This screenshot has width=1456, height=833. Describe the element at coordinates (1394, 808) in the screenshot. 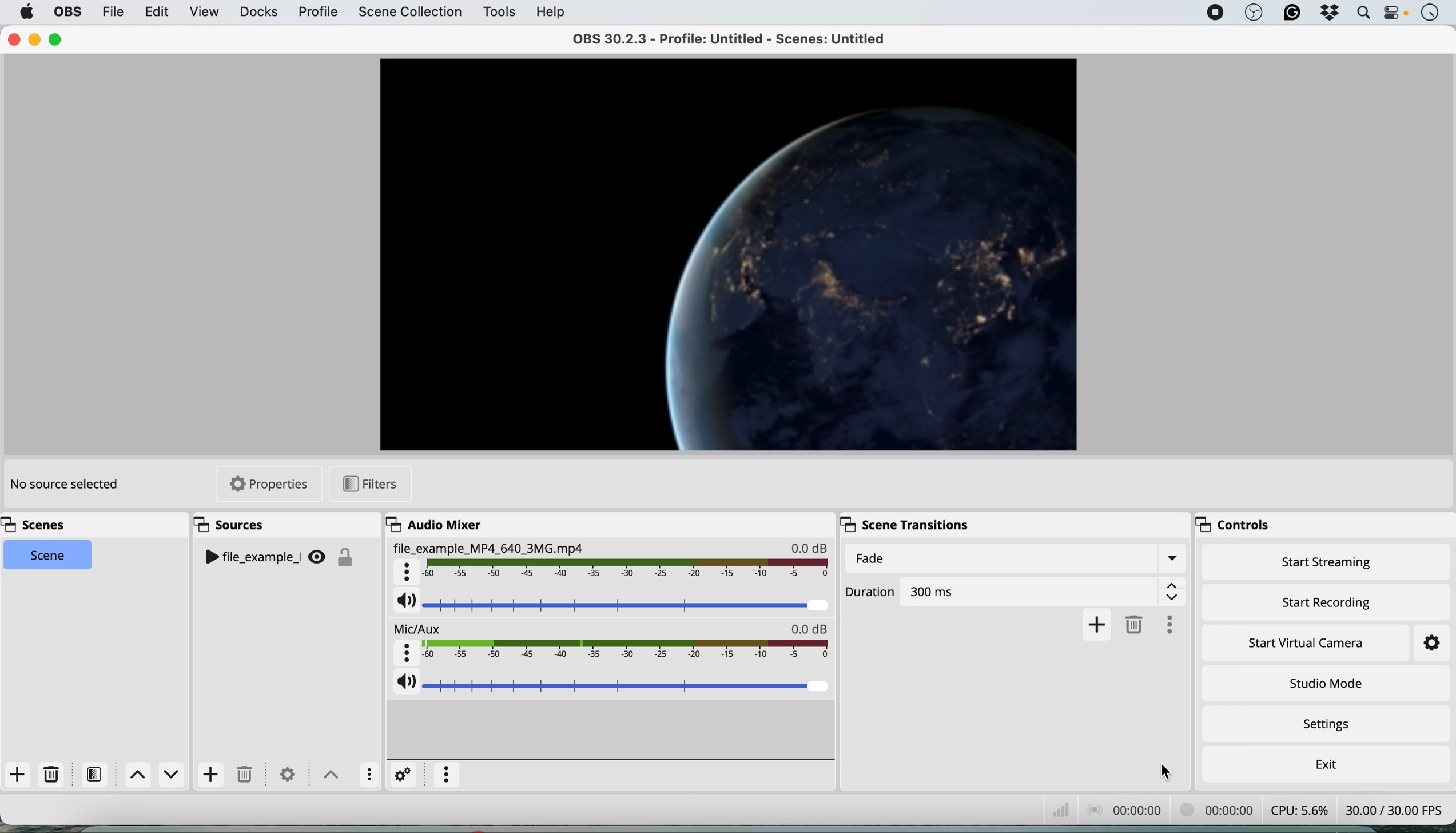

I see `frames per second` at that location.